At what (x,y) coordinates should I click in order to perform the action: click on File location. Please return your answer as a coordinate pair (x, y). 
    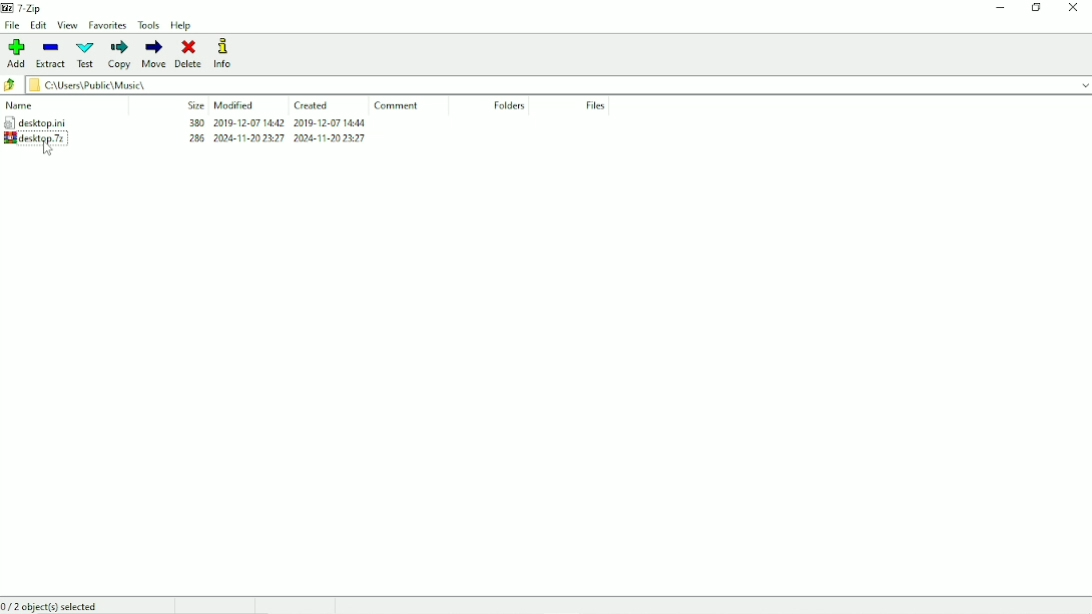
    Looking at the image, I should click on (559, 85).